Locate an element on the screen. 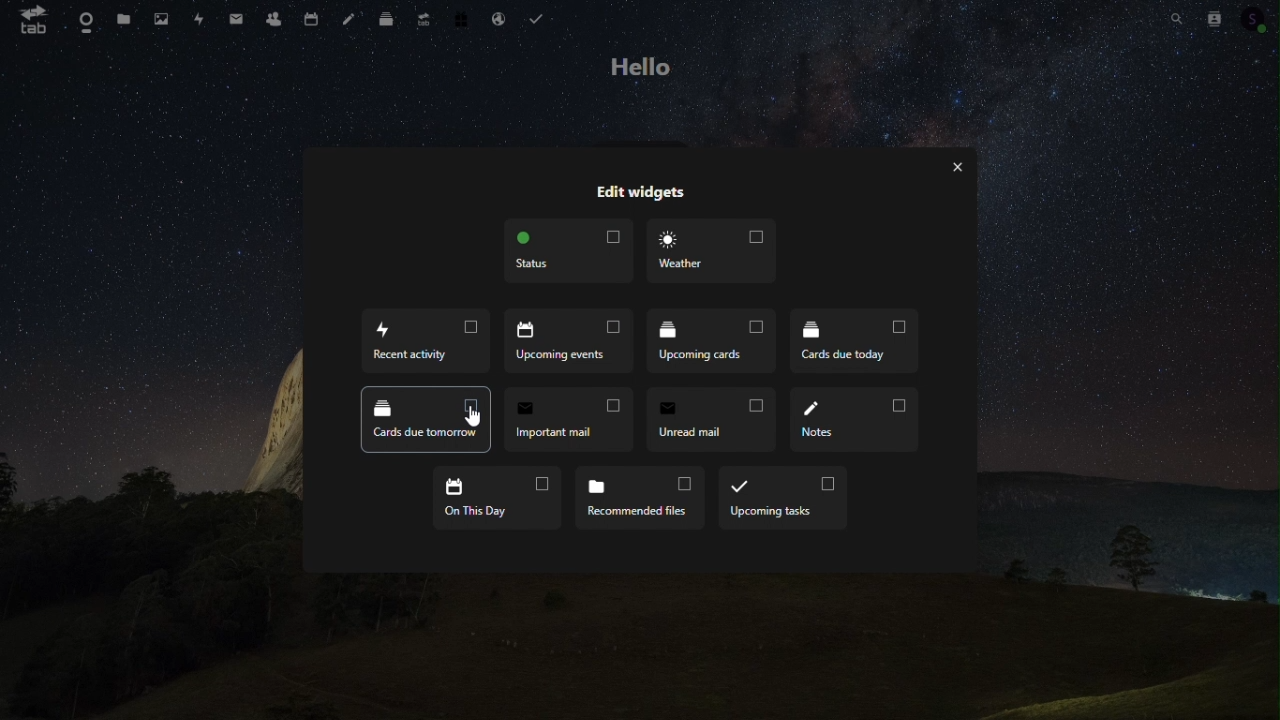 The width and height of the screenshot is (1280, 720). Email hosting is located at coordinates (499, 18).